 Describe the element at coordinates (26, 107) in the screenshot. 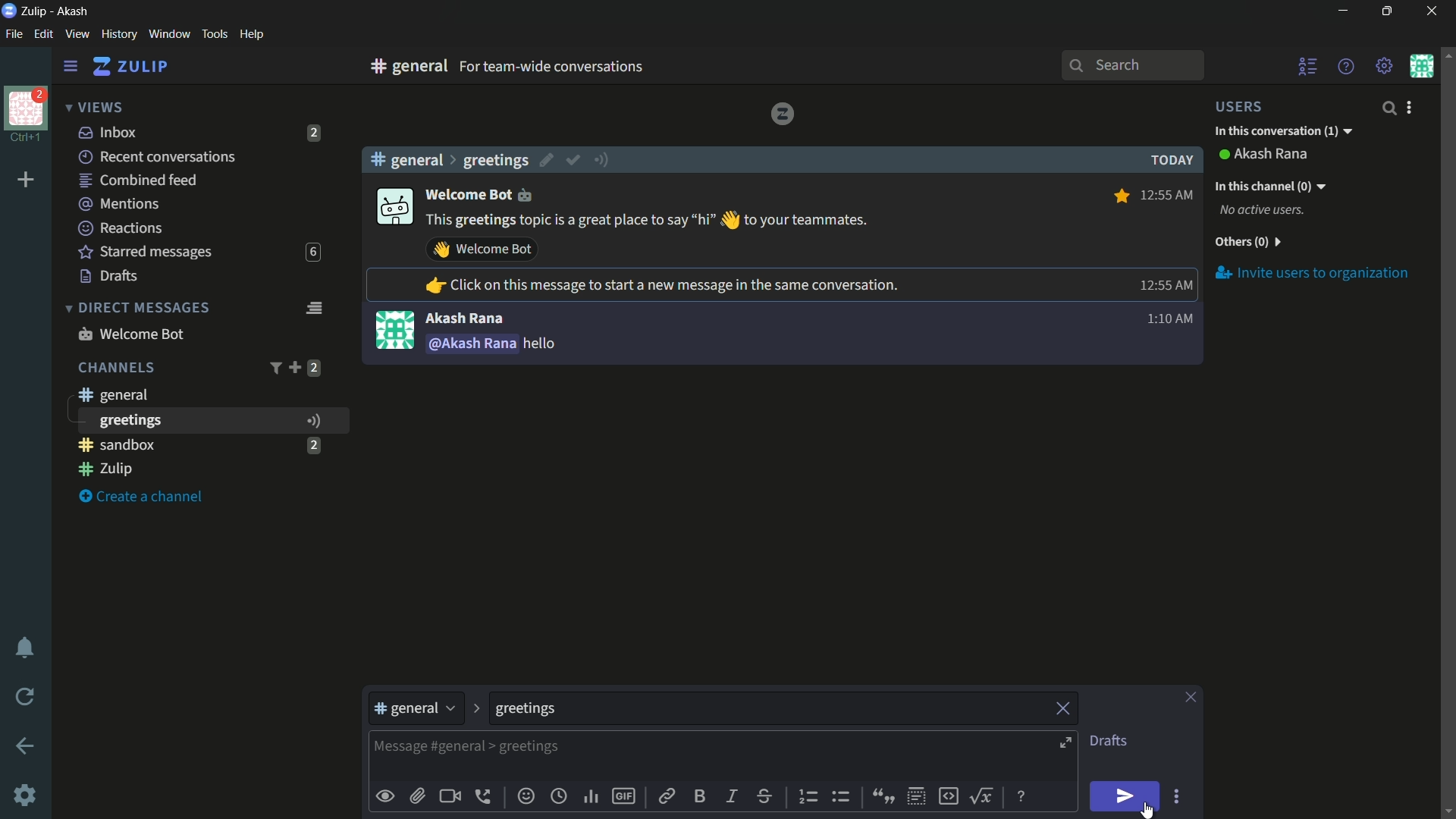

I see `profile` at that location.